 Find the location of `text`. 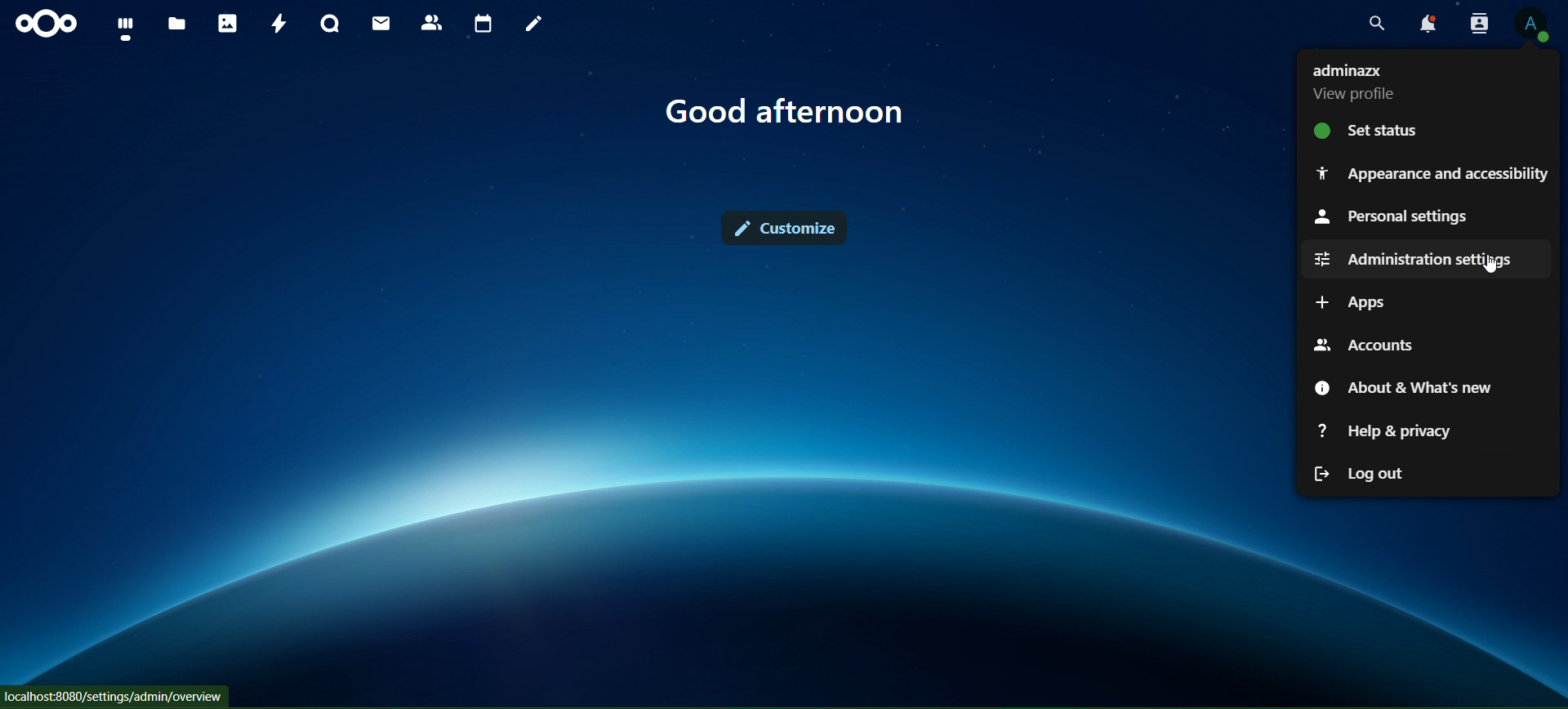

text is located at coordinates (1358, 84).